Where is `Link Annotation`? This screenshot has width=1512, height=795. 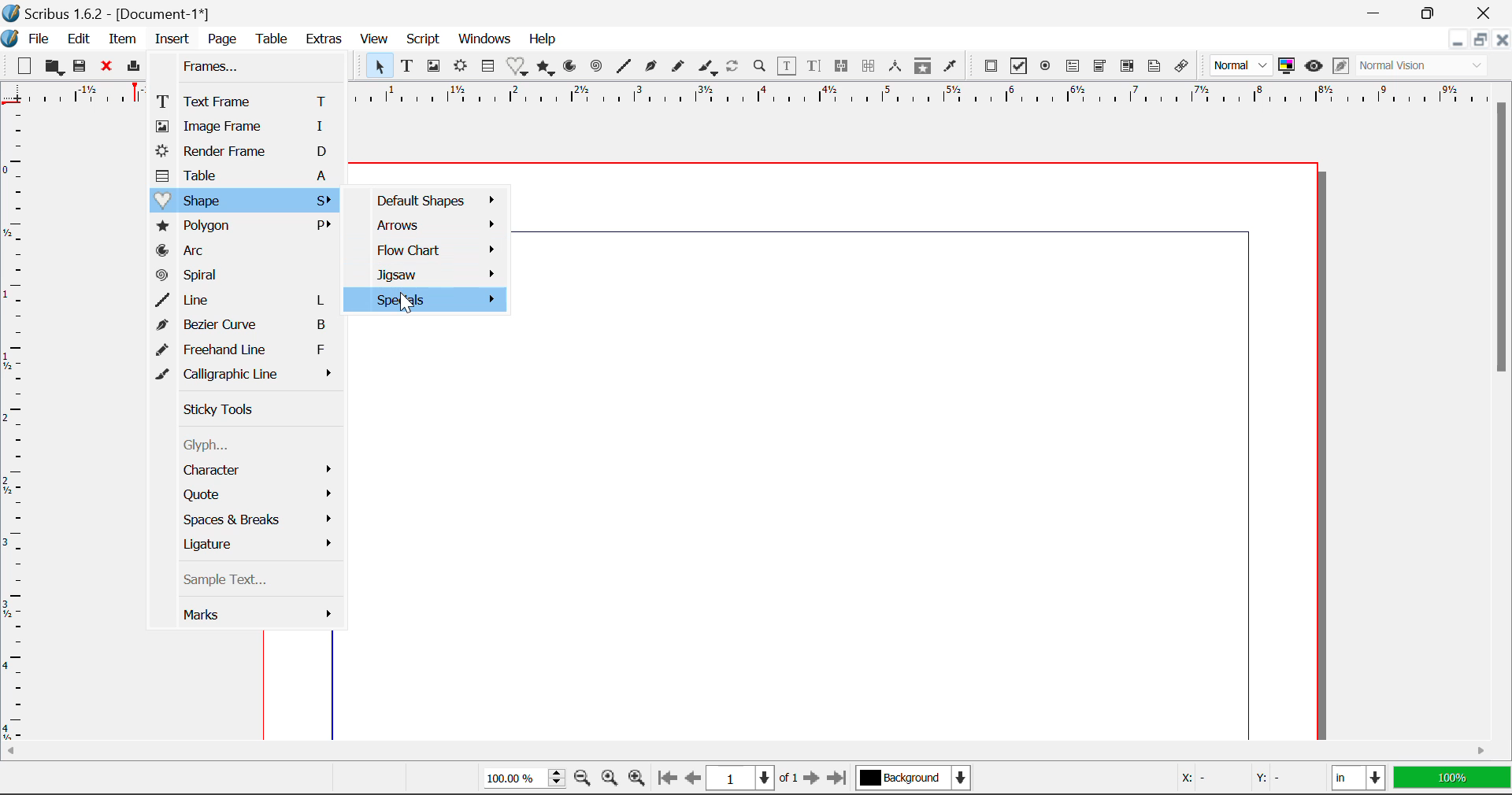
Link Annotation is located at coordinates (1182, 67).